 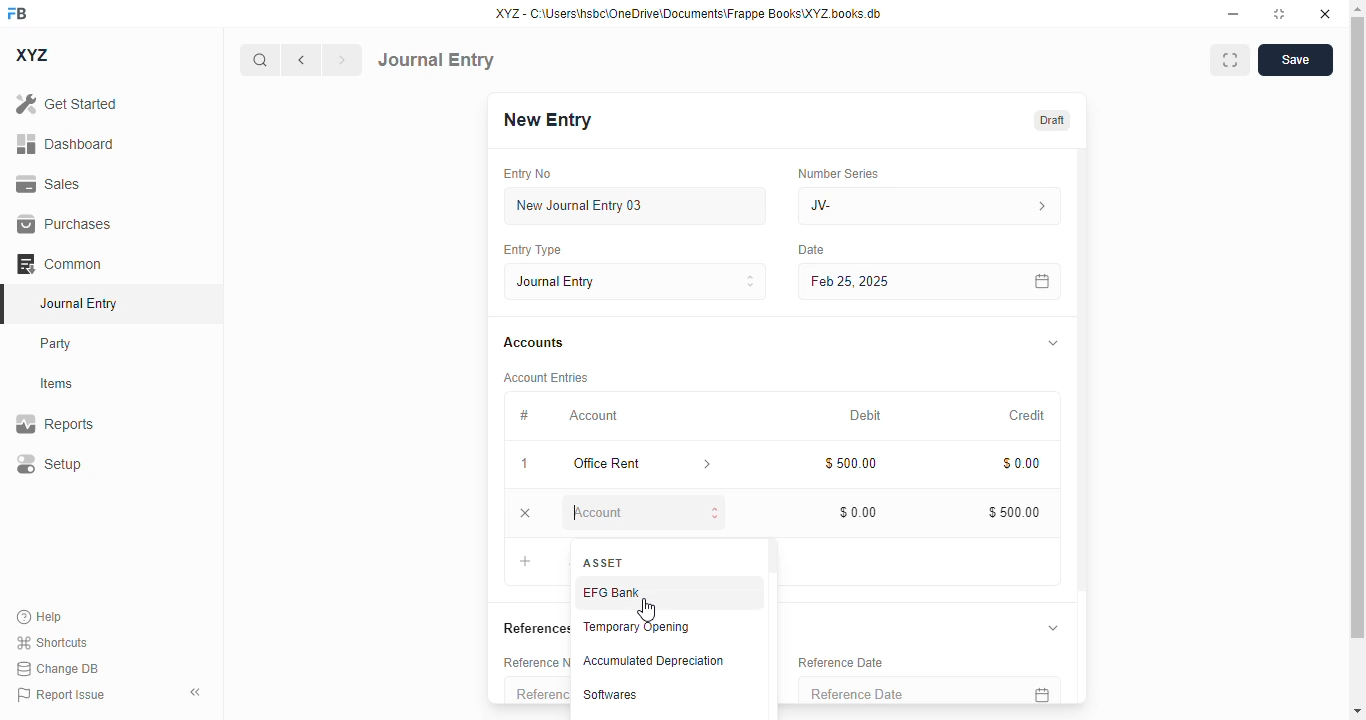 I want to click on reference number, so click(x=532, y=662).